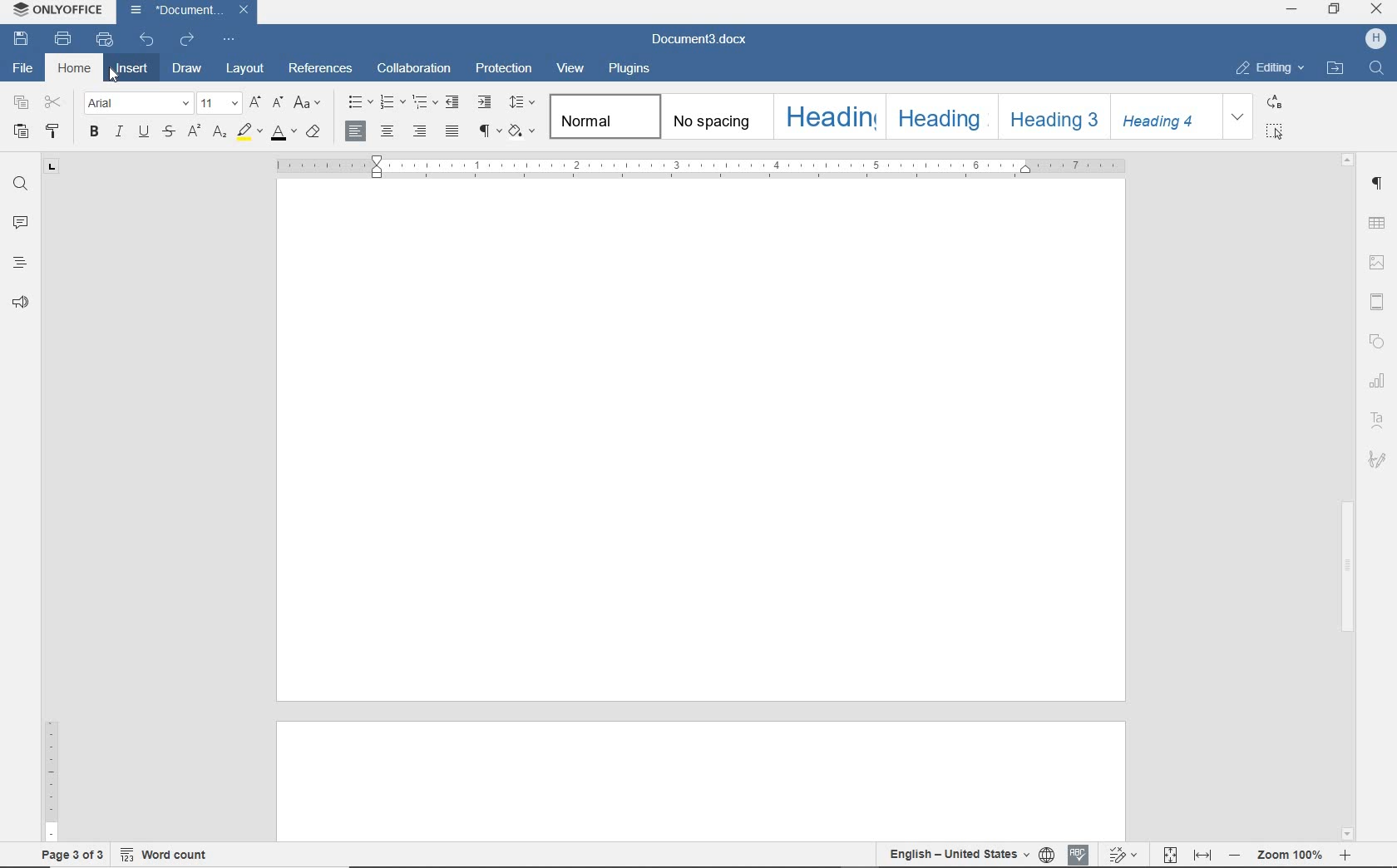 This screenshot has width=1397, height=868. Describe the element at coordinates (283, 134) in the screenshot. I see `Text color` at that location.